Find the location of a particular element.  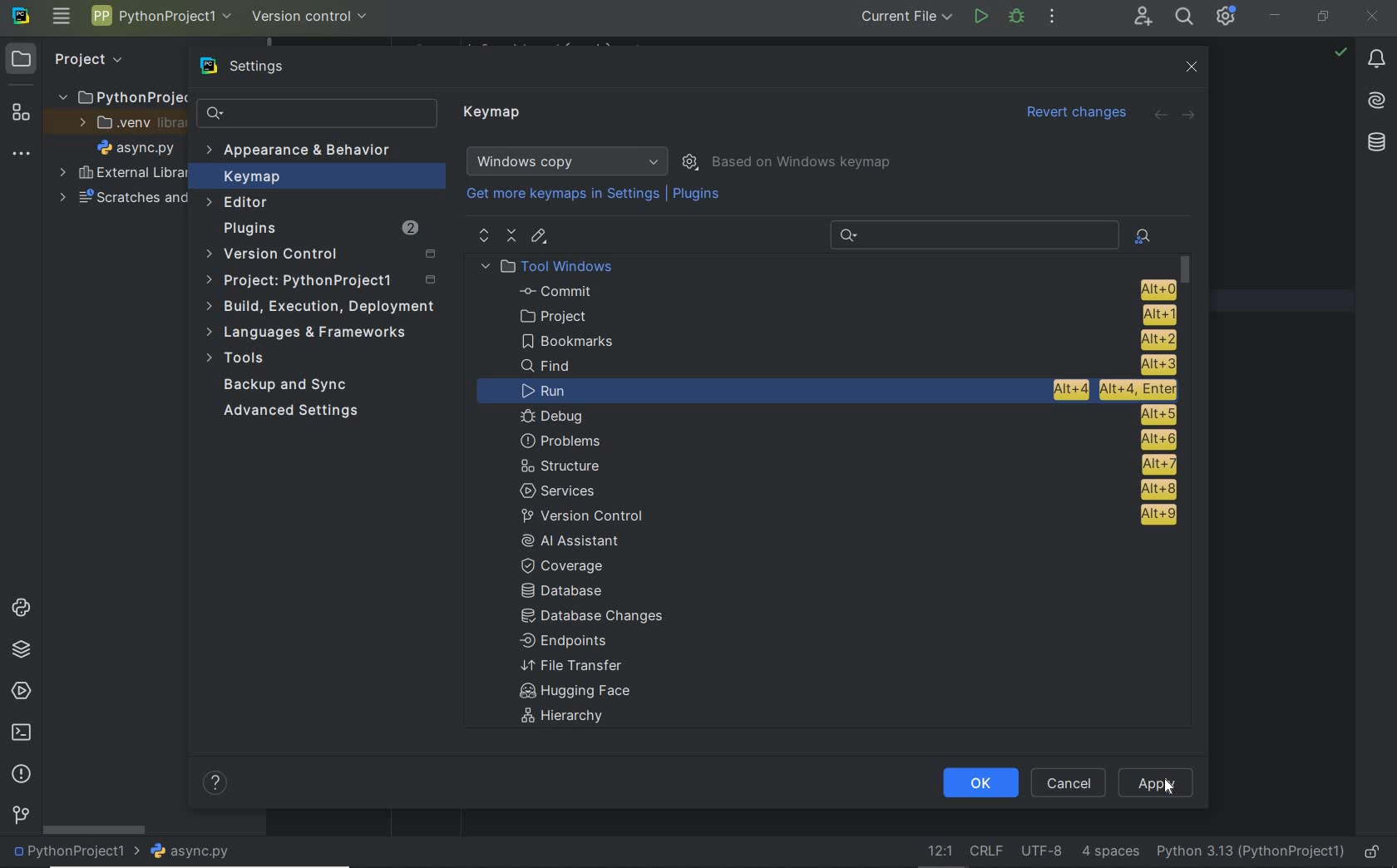

Cancel is located at coordinates (1066, 782).